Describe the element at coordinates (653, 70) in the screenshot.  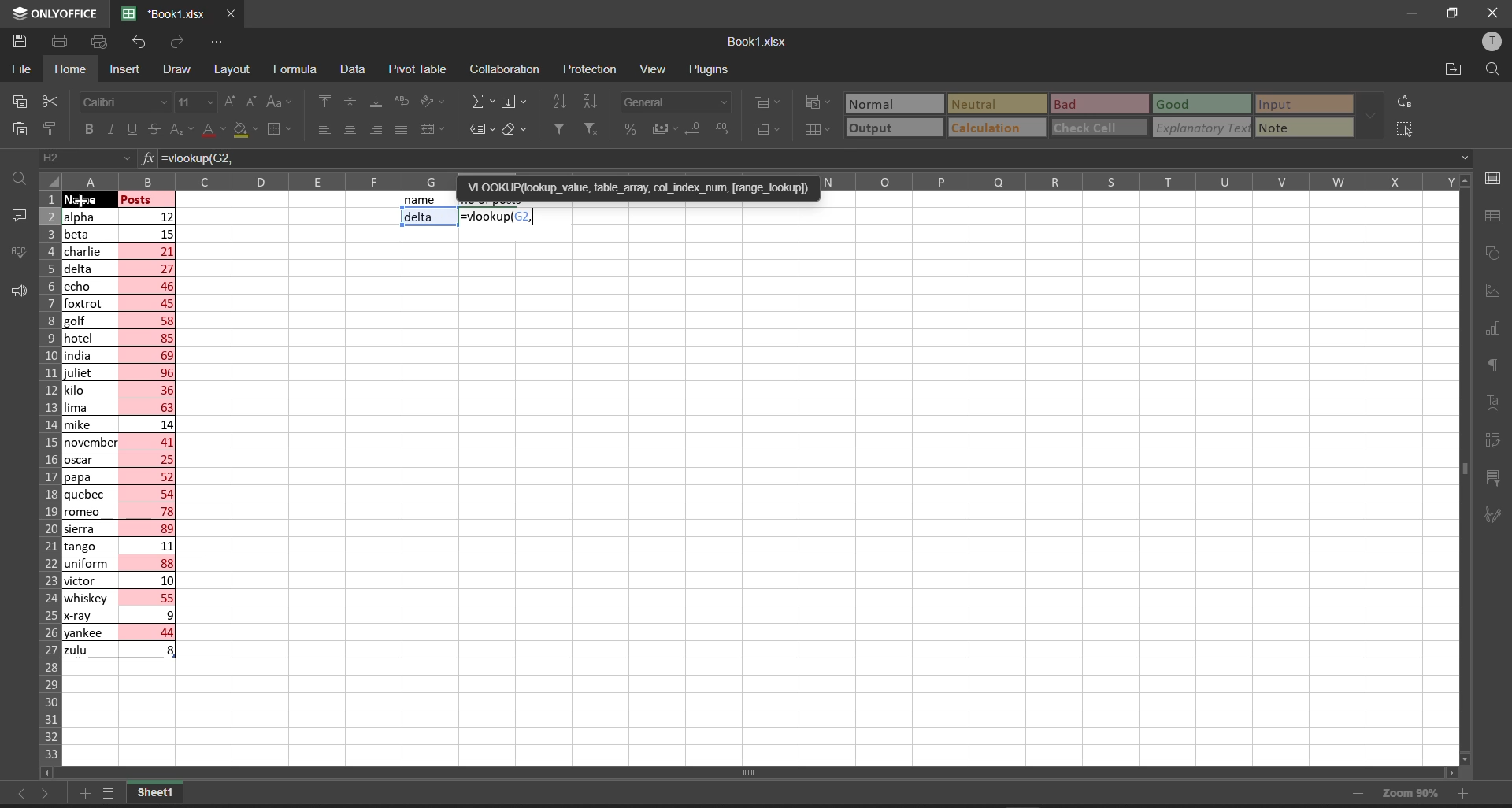
I see `view` at that location.